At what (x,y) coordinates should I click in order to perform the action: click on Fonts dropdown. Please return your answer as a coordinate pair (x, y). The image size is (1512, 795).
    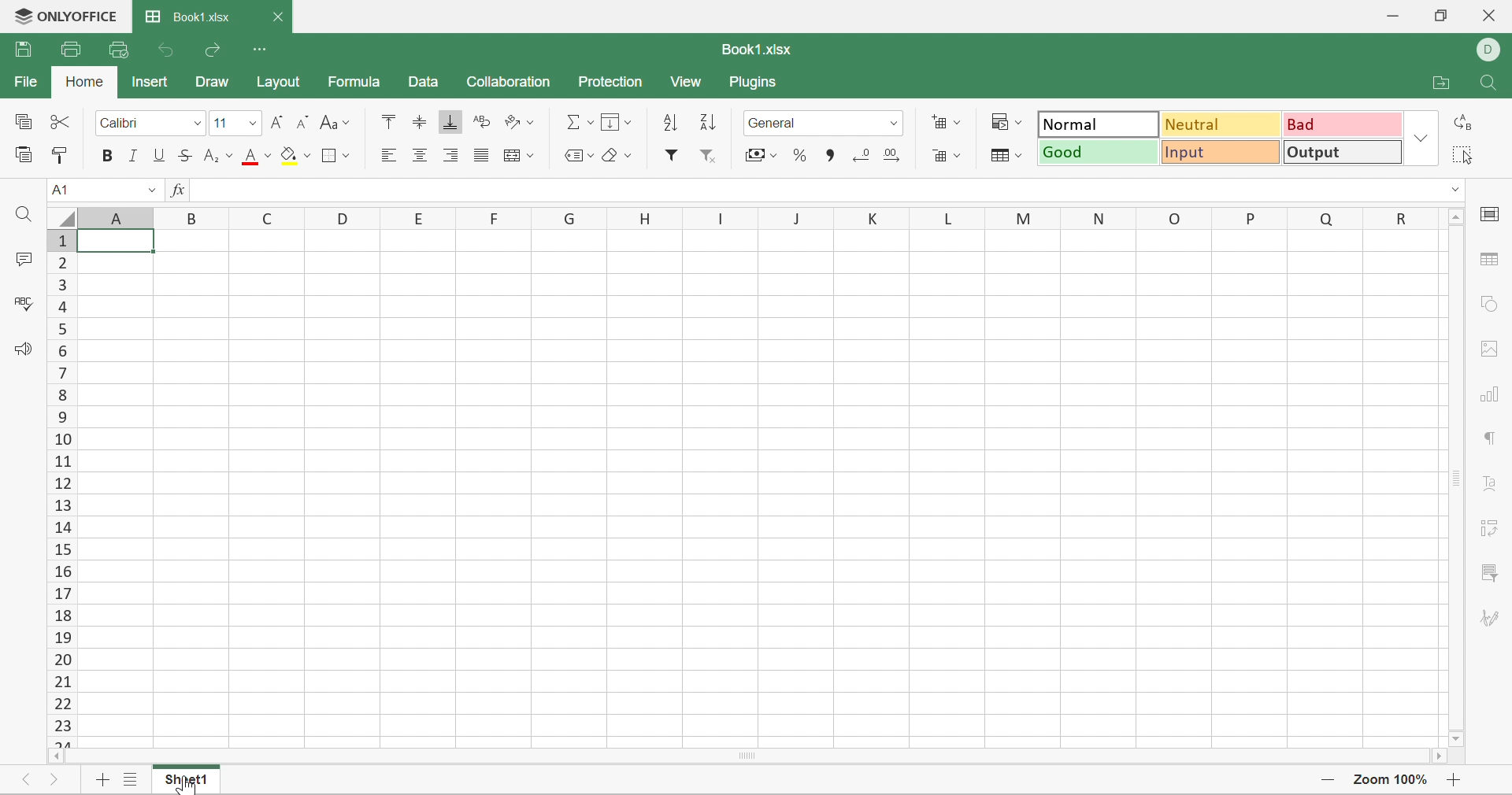
    Looking at the image, I should click on (252, 125).